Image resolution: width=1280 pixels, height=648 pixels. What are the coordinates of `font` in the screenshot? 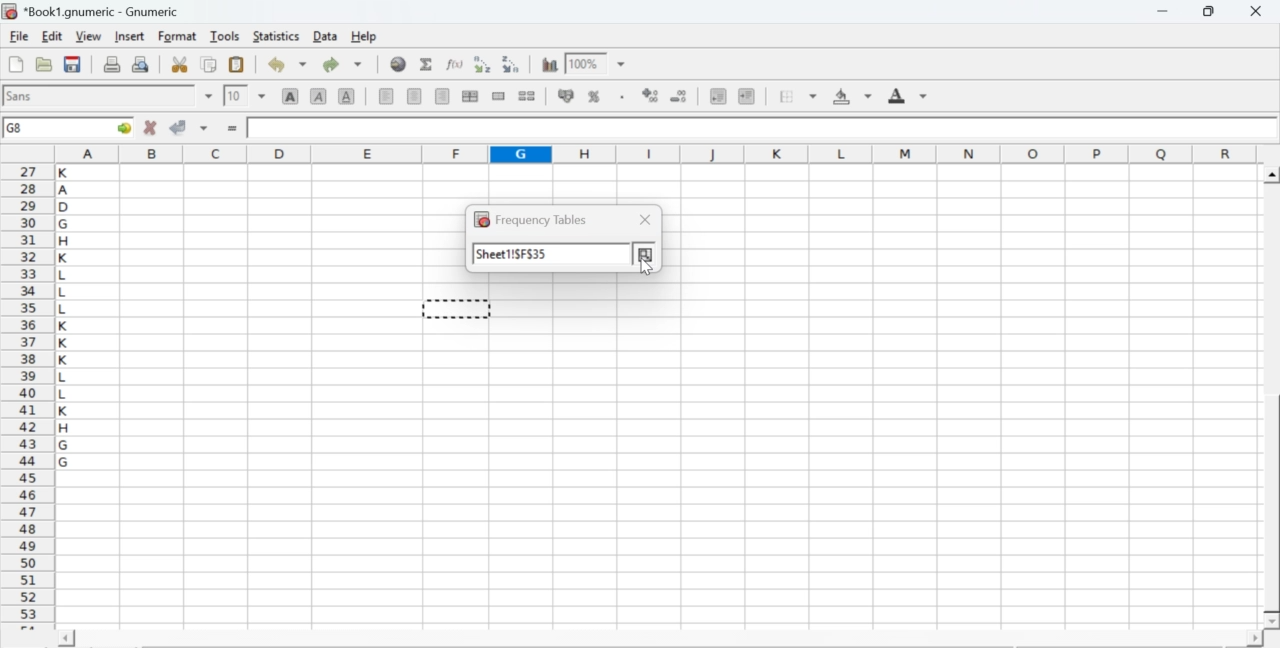 It's located at (22, 95).